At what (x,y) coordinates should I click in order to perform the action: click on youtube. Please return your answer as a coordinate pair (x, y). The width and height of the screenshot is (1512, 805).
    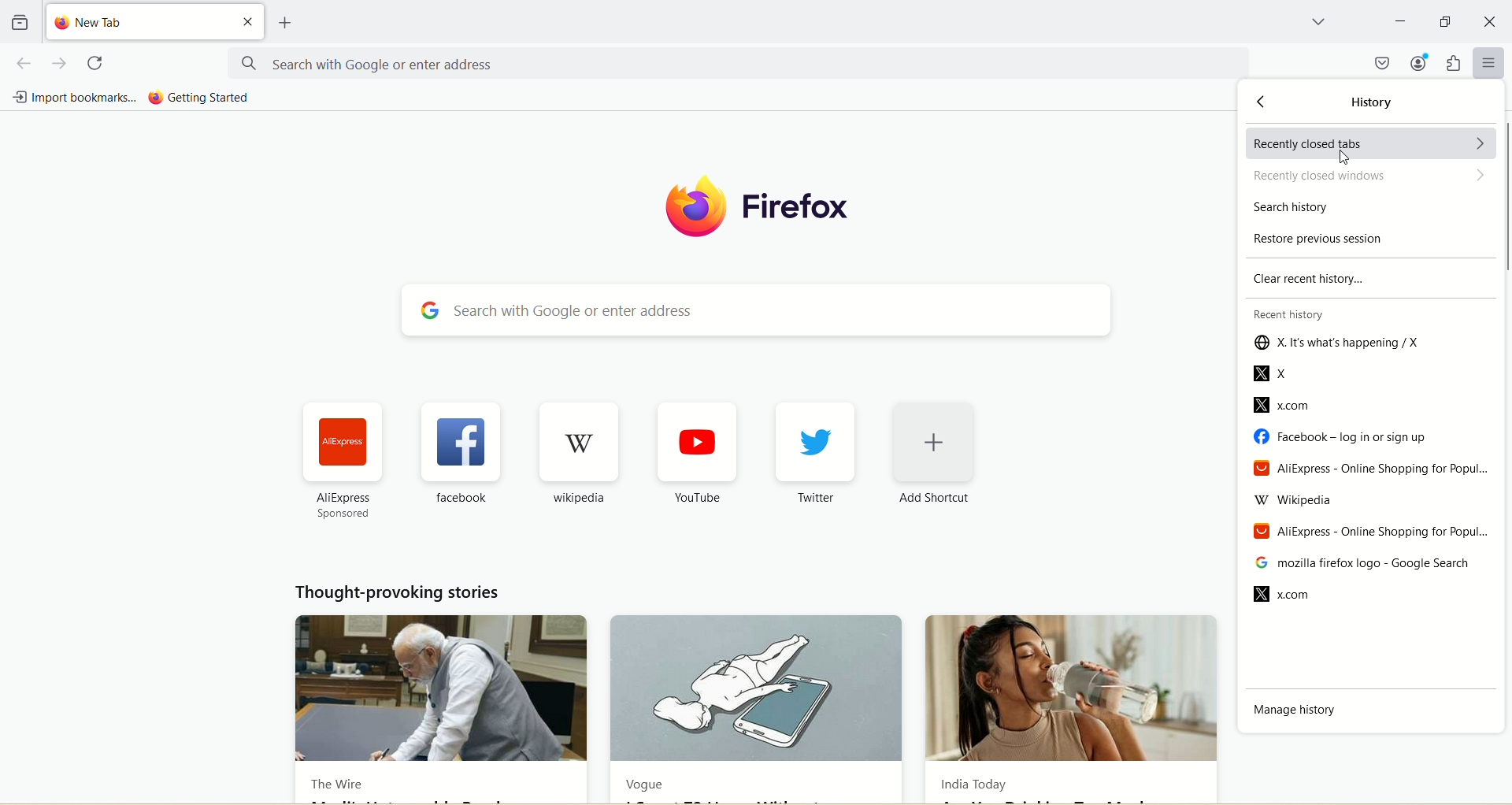
    Looking at the image, I should click on (699, 442).